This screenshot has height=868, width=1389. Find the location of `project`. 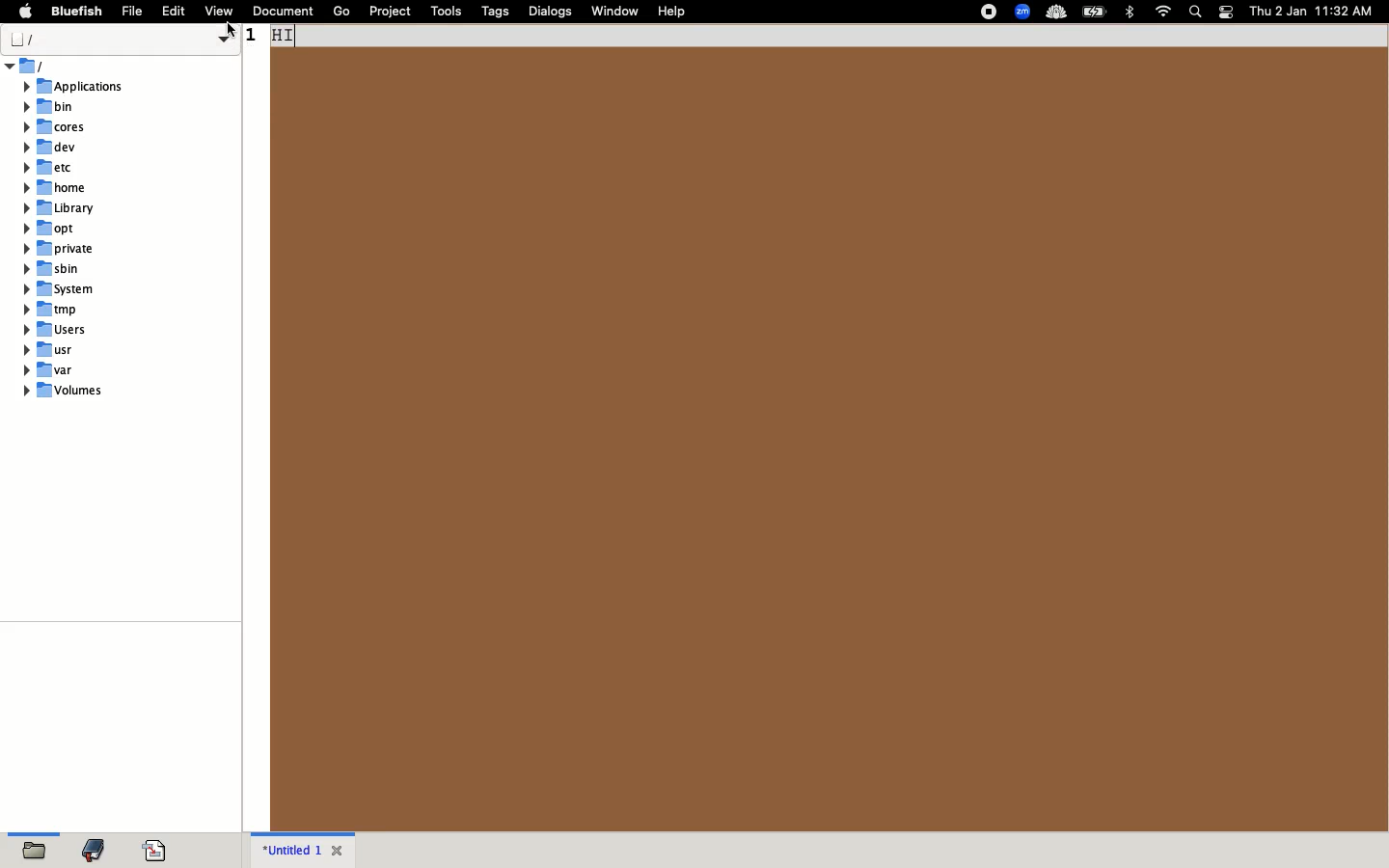

project is located at coordinates (389, 12).